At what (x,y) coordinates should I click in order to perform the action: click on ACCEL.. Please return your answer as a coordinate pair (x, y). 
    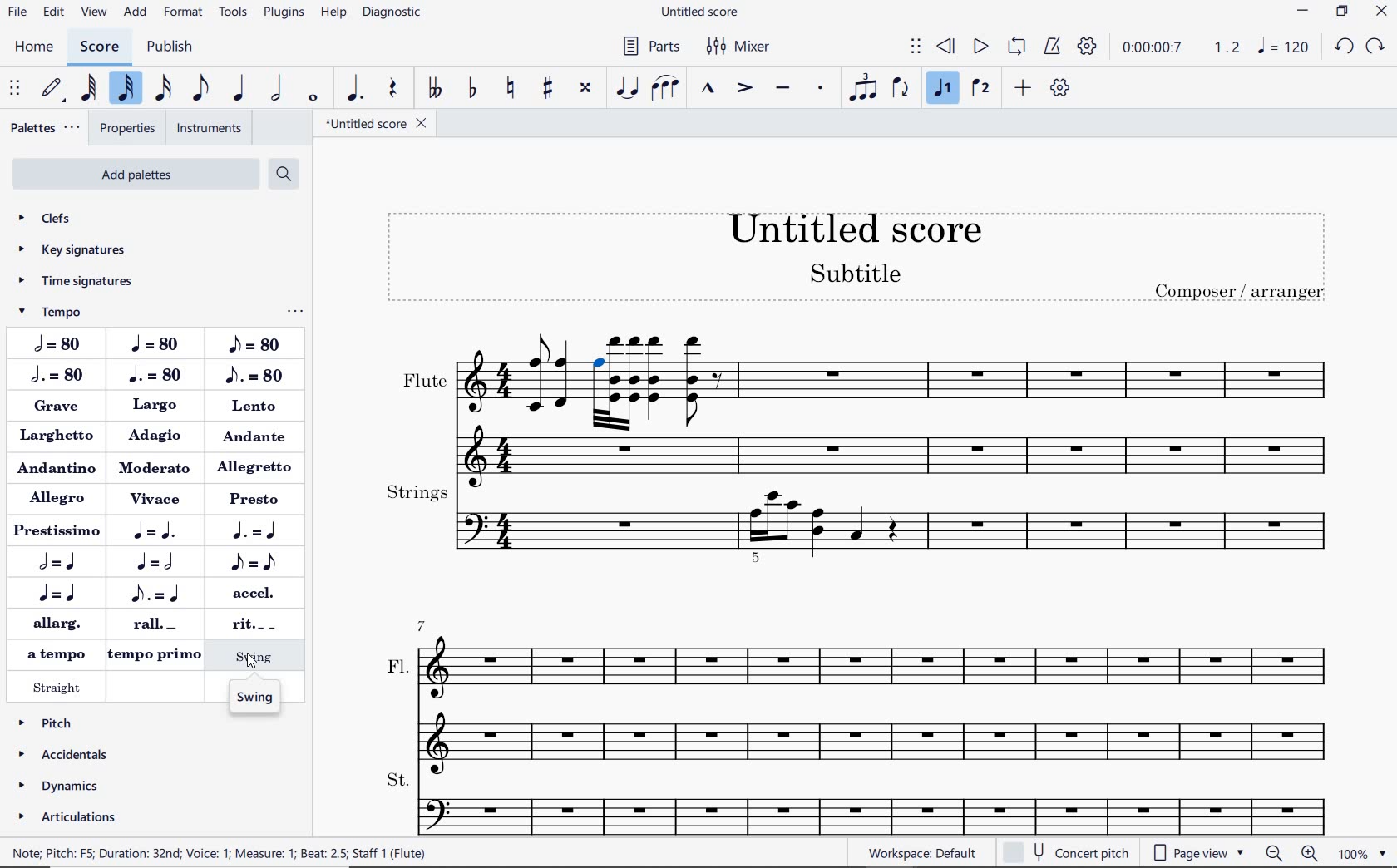
    Looking at the image, I should click on (250, 593).